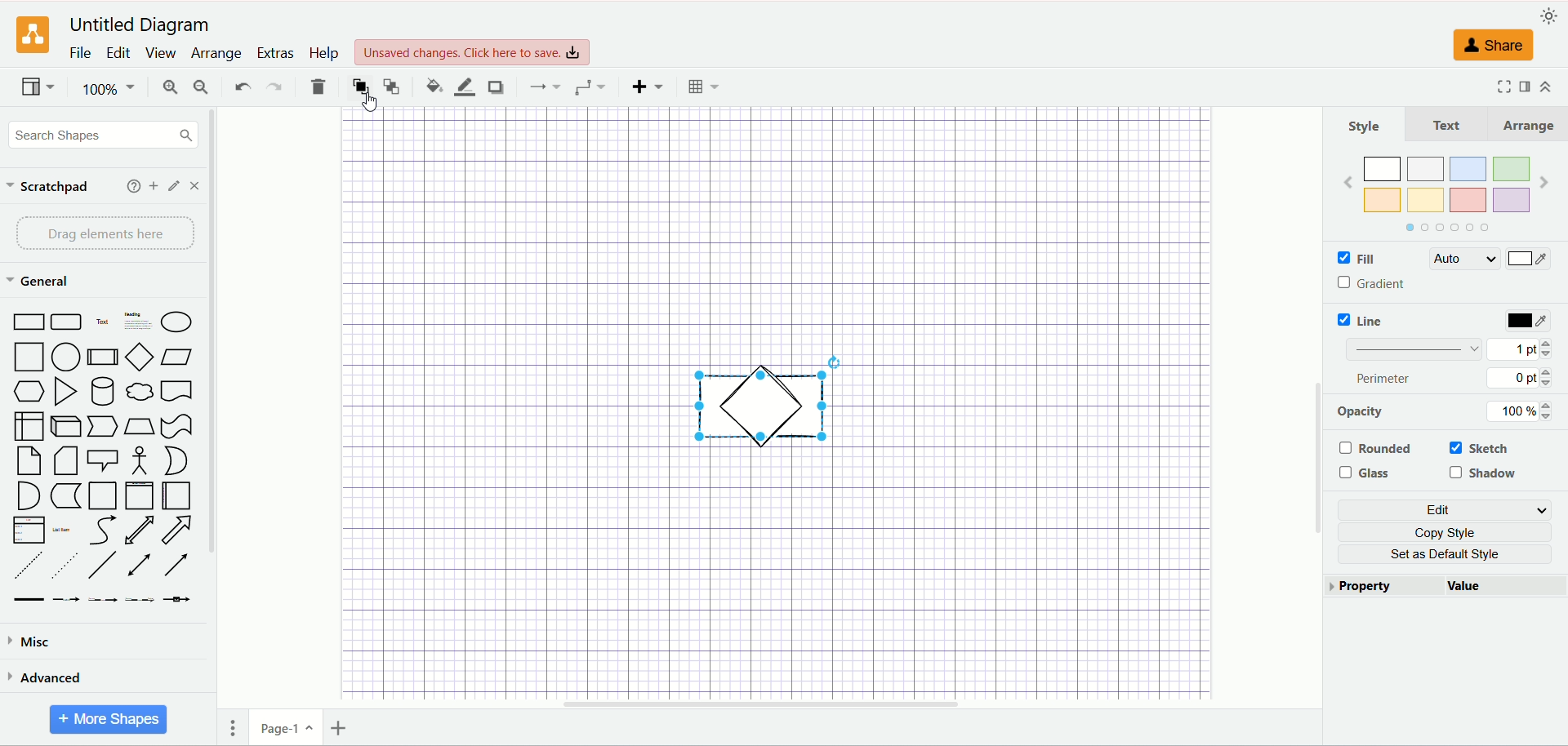  Describe the element at coordinates (103, 495) in the screenshot. I see `Container` at that location.